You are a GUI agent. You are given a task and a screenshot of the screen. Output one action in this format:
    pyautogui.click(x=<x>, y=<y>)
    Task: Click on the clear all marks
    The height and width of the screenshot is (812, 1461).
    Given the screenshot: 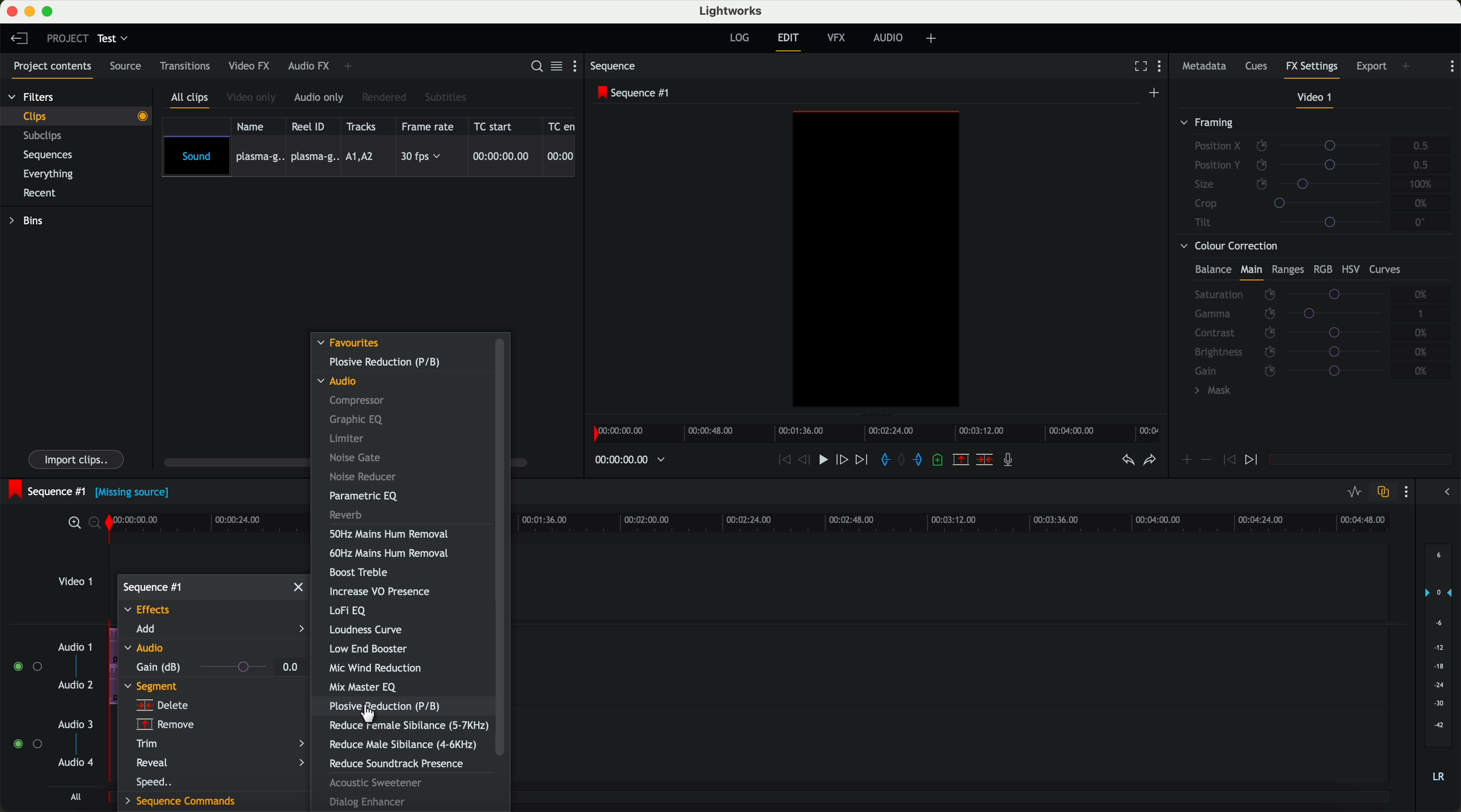 What is the action you would take?
    pyautogui.click(x=903, y=461)
    